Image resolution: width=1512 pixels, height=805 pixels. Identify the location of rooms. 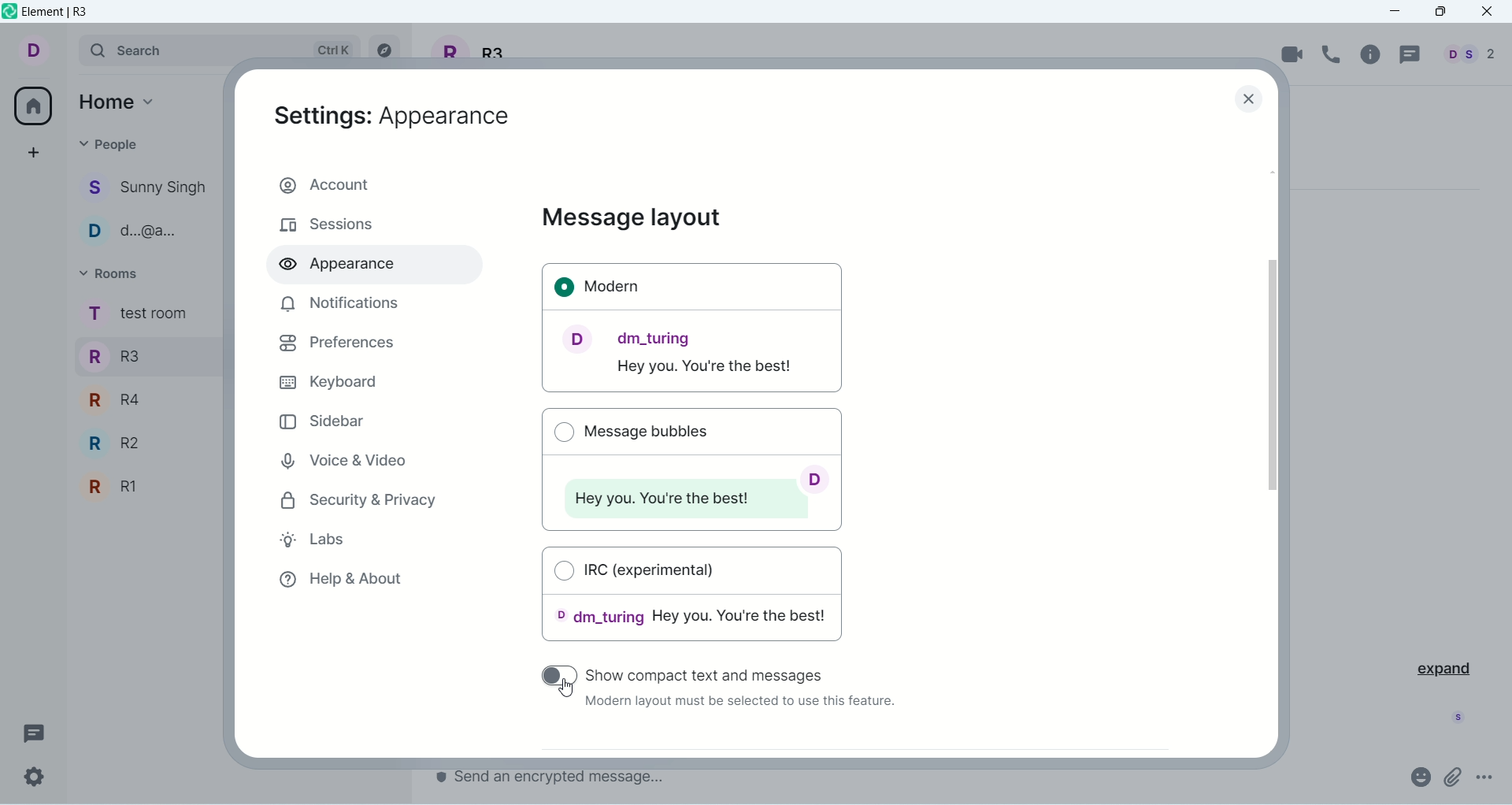
(112, 273).